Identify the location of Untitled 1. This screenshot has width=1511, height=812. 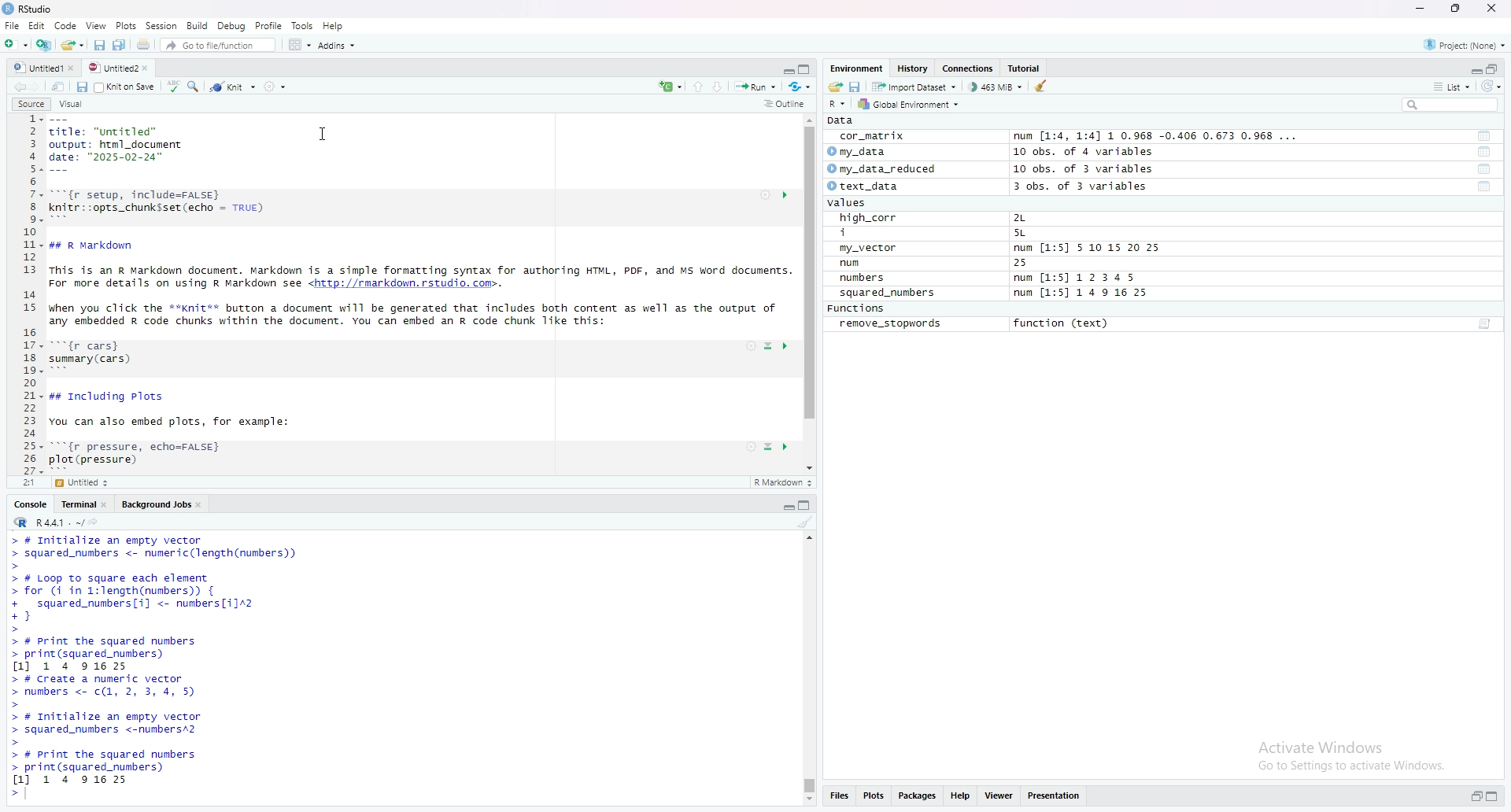
(33, 68).